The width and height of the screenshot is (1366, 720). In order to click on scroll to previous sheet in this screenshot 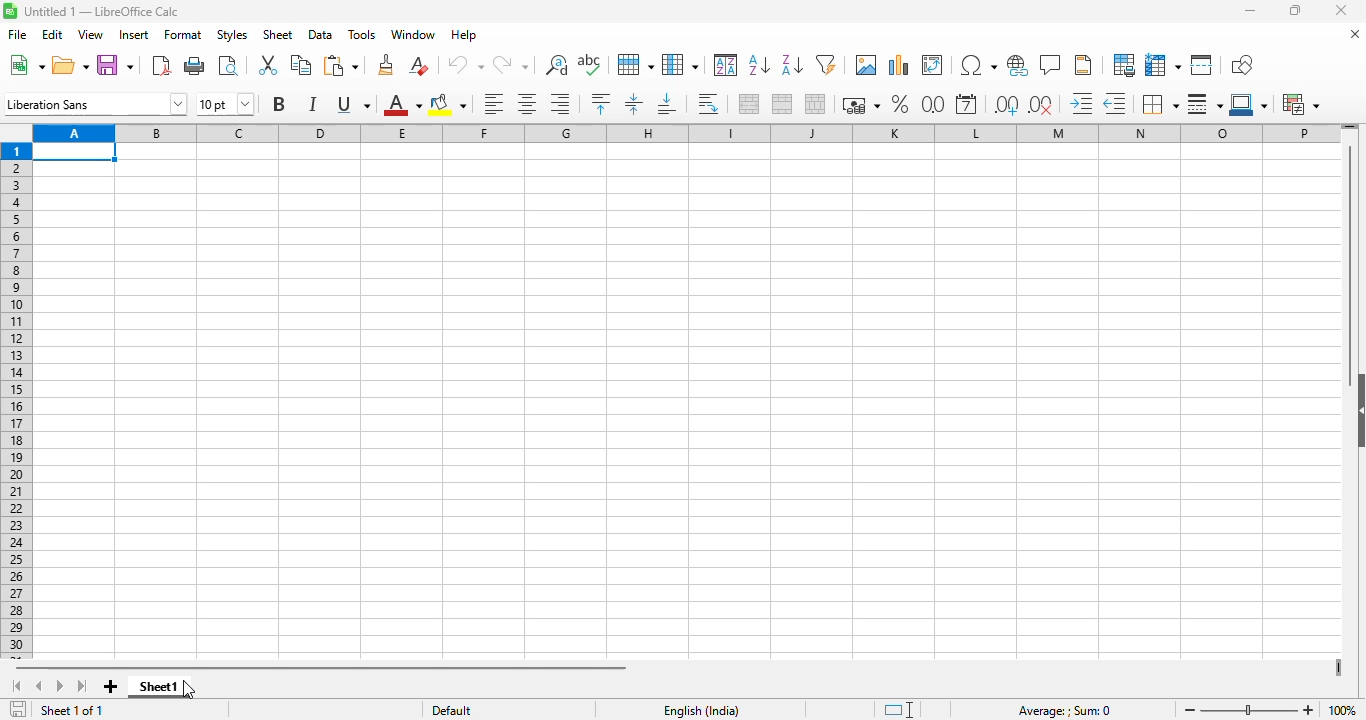, I will do `click(38, 686)`.